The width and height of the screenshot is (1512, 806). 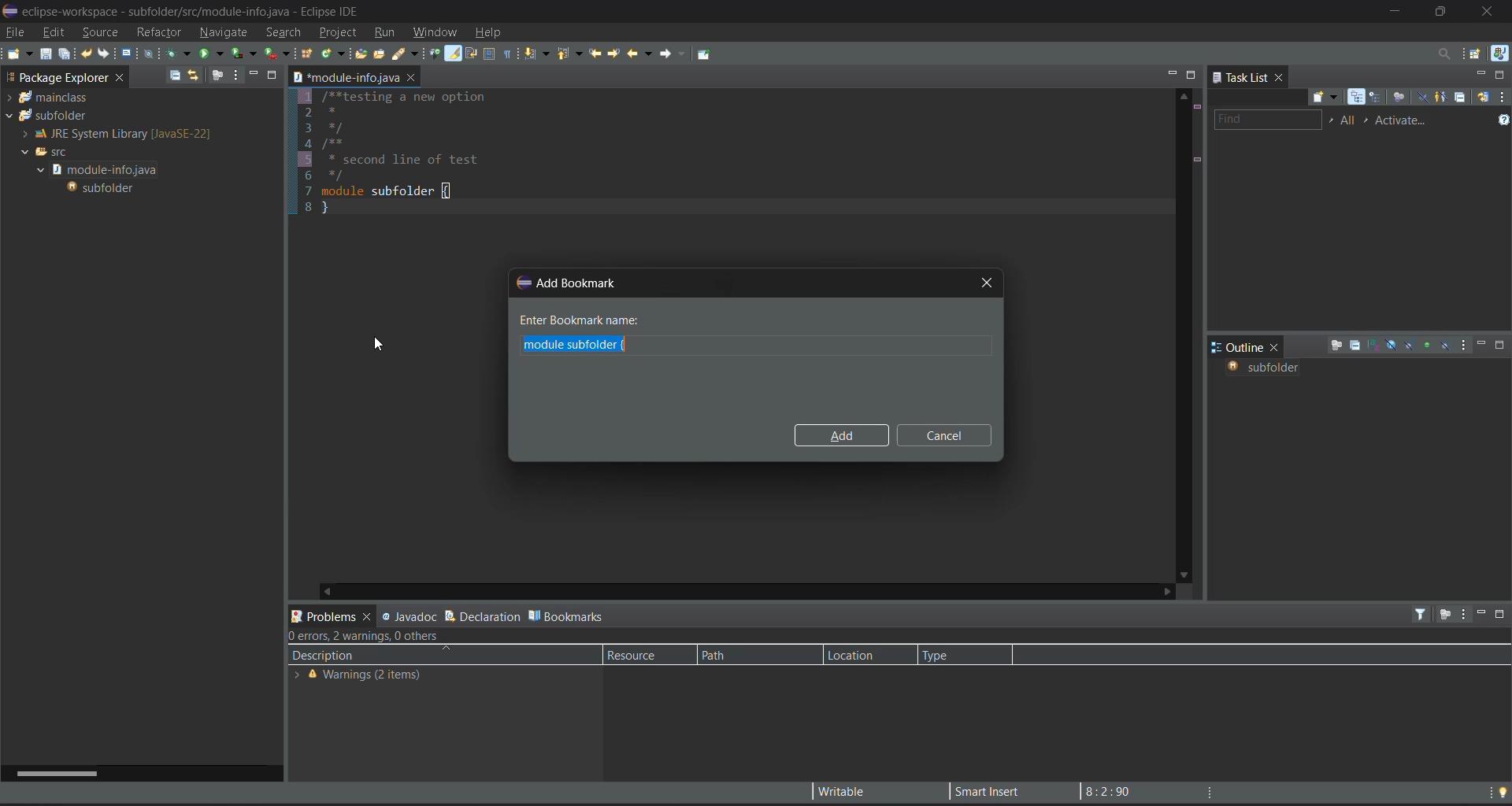 What do you see at coordinates (1401, 98) in the screenshot?
I see `focus on workweek` at bounding box center [1401, 98].